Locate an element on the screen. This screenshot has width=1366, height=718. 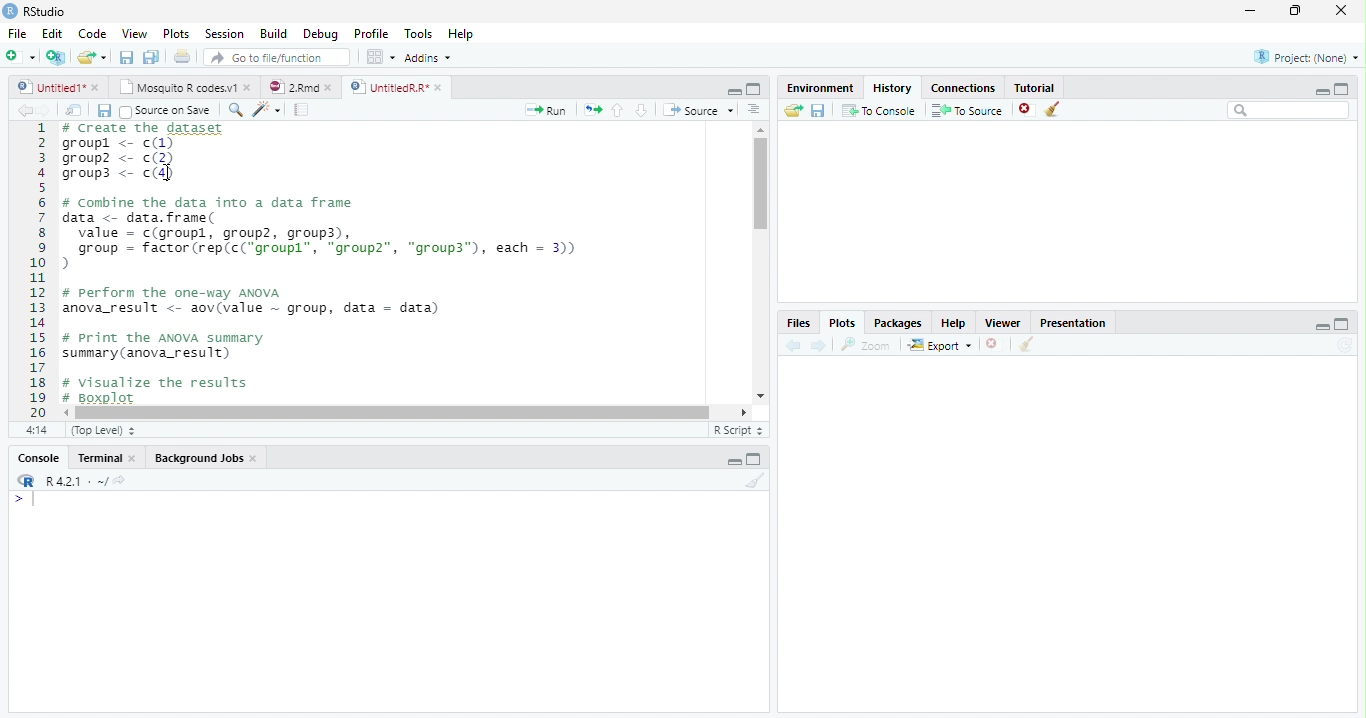
Environment is located at coordinates (820, 88).